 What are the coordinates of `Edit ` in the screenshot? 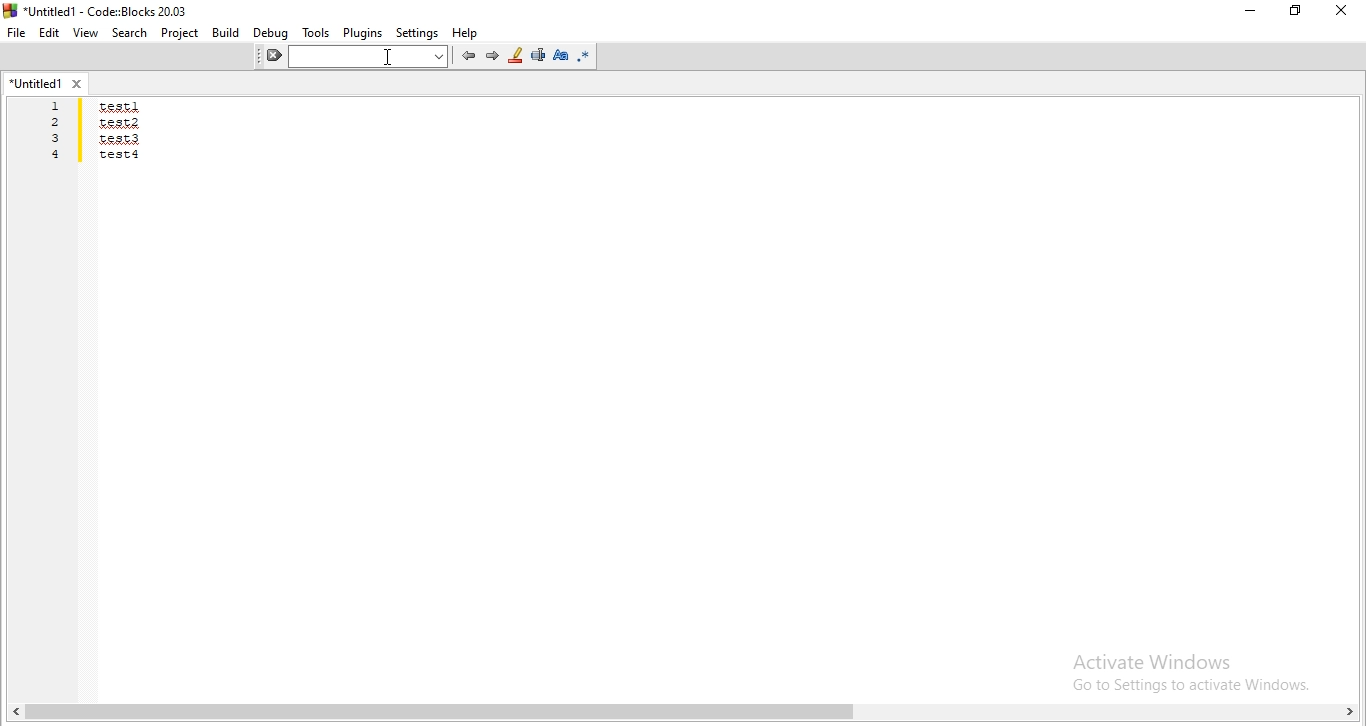 It's located at (48, 33).